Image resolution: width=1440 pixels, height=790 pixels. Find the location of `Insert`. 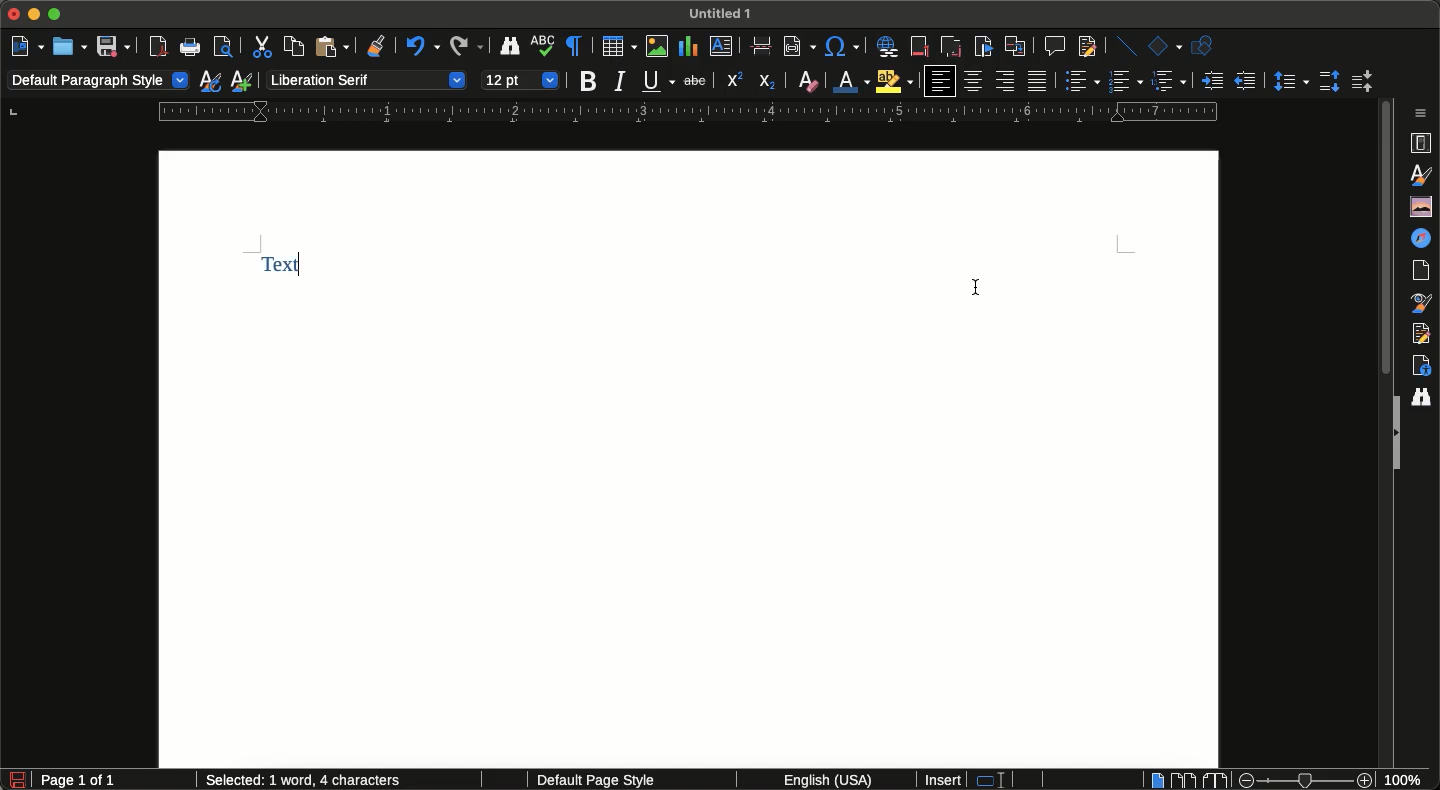

Insert is located at coordinates (944, 780).